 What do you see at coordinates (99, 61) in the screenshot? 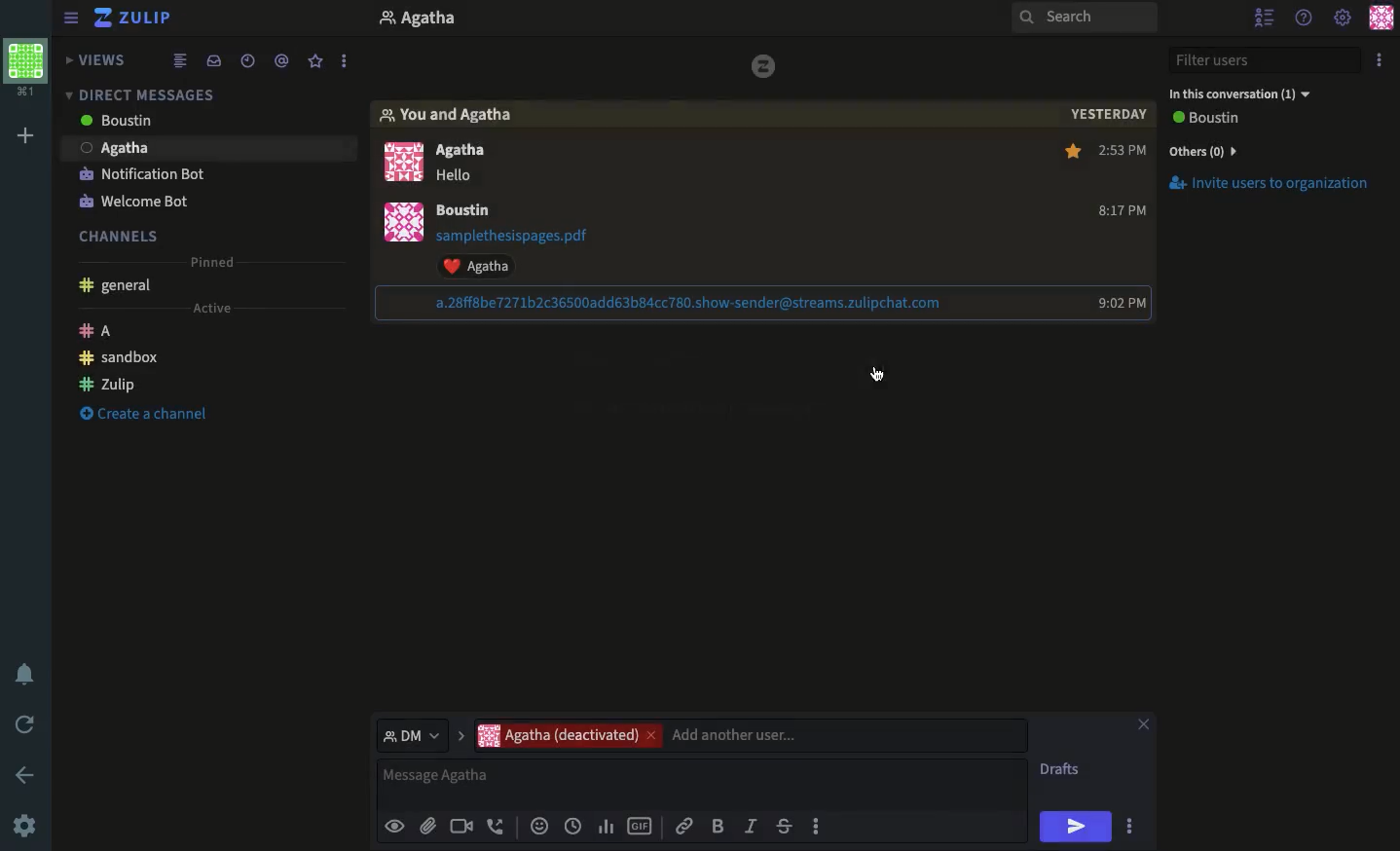
I see `Views` at bounding box center [99, 61].